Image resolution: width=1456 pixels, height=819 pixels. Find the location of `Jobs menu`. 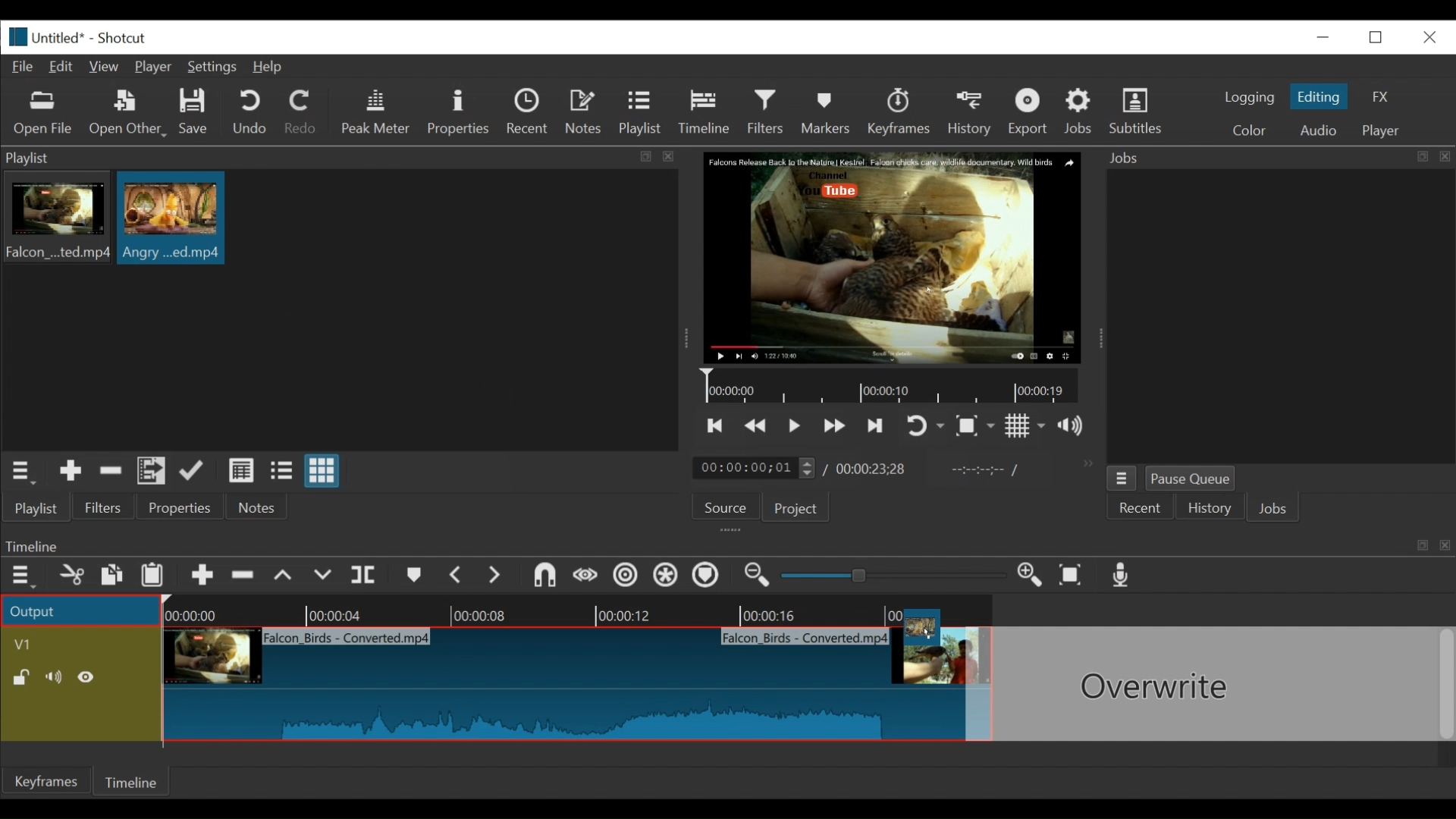

Jobs menu is located at coordinates (1269, 156).